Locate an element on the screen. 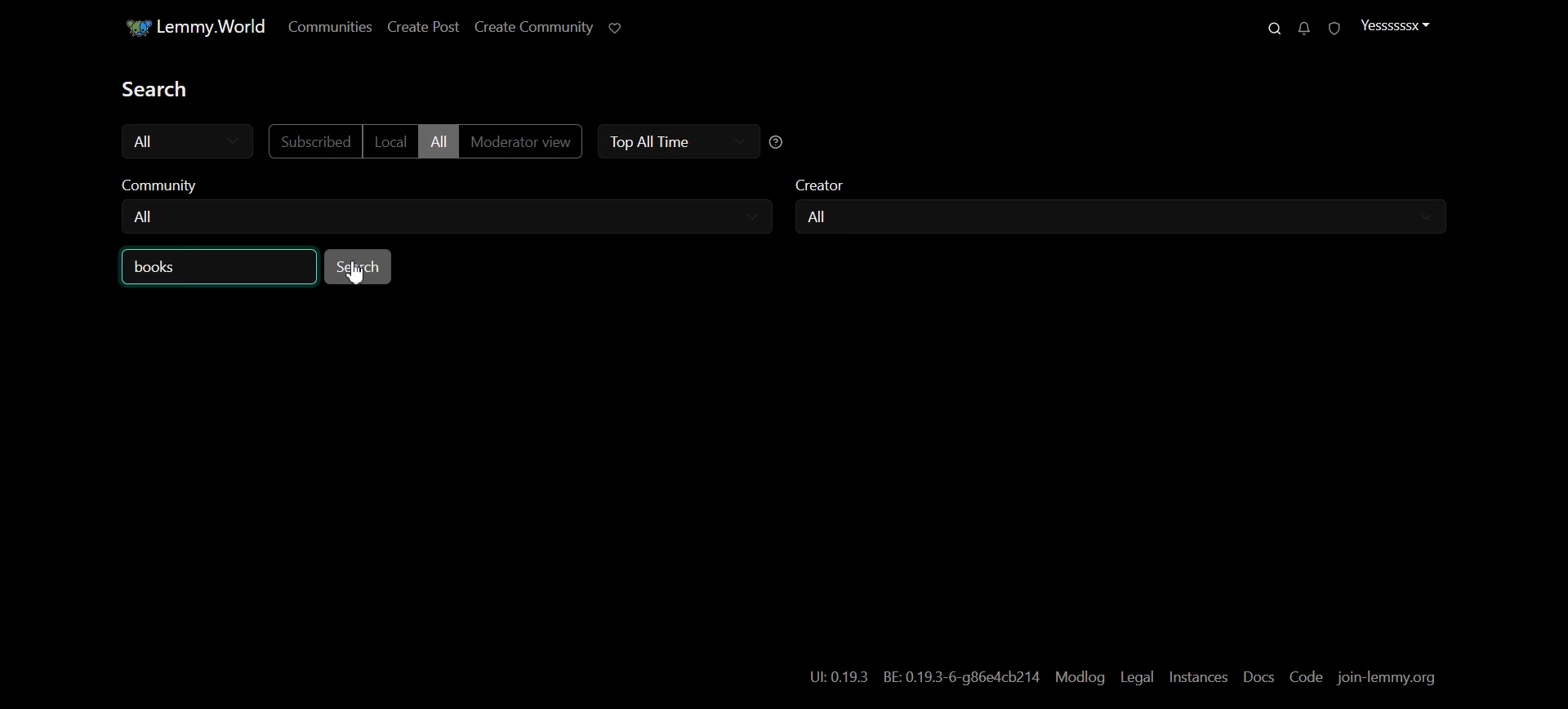 The height and width of the screenshot is (709, 1568). Modlog is located at coordinates (1078, 677).